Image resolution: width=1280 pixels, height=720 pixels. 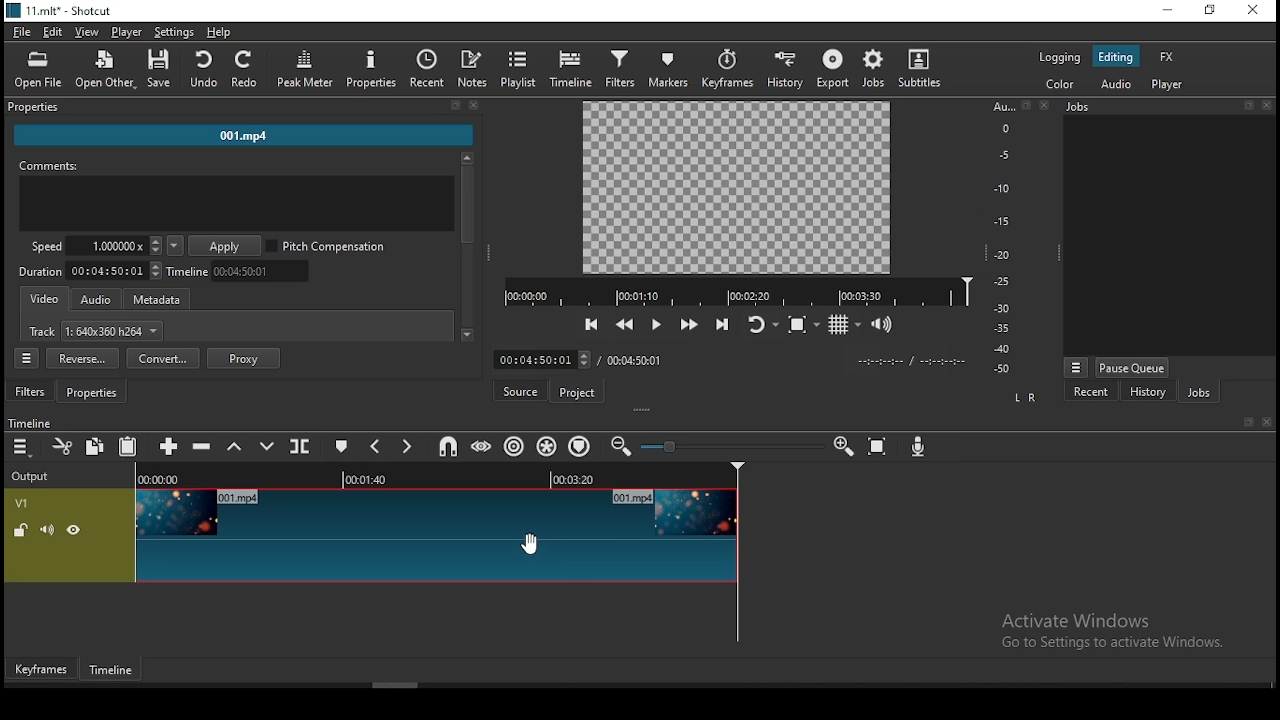 I want to click on properties menu, so click(x=26, y=358).